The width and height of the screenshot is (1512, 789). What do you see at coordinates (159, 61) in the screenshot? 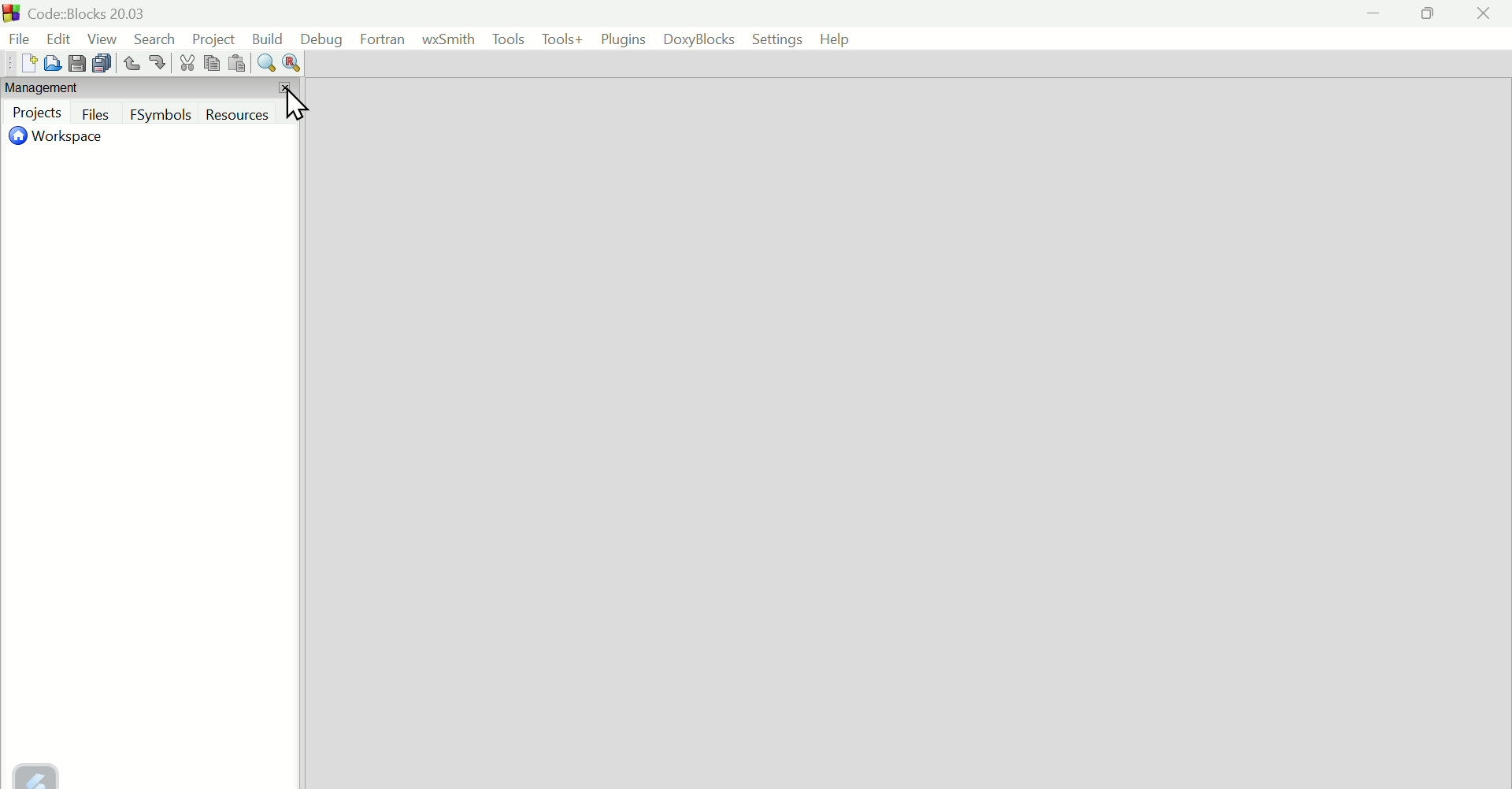
I see `Redo` at bounding box center [159, 61].